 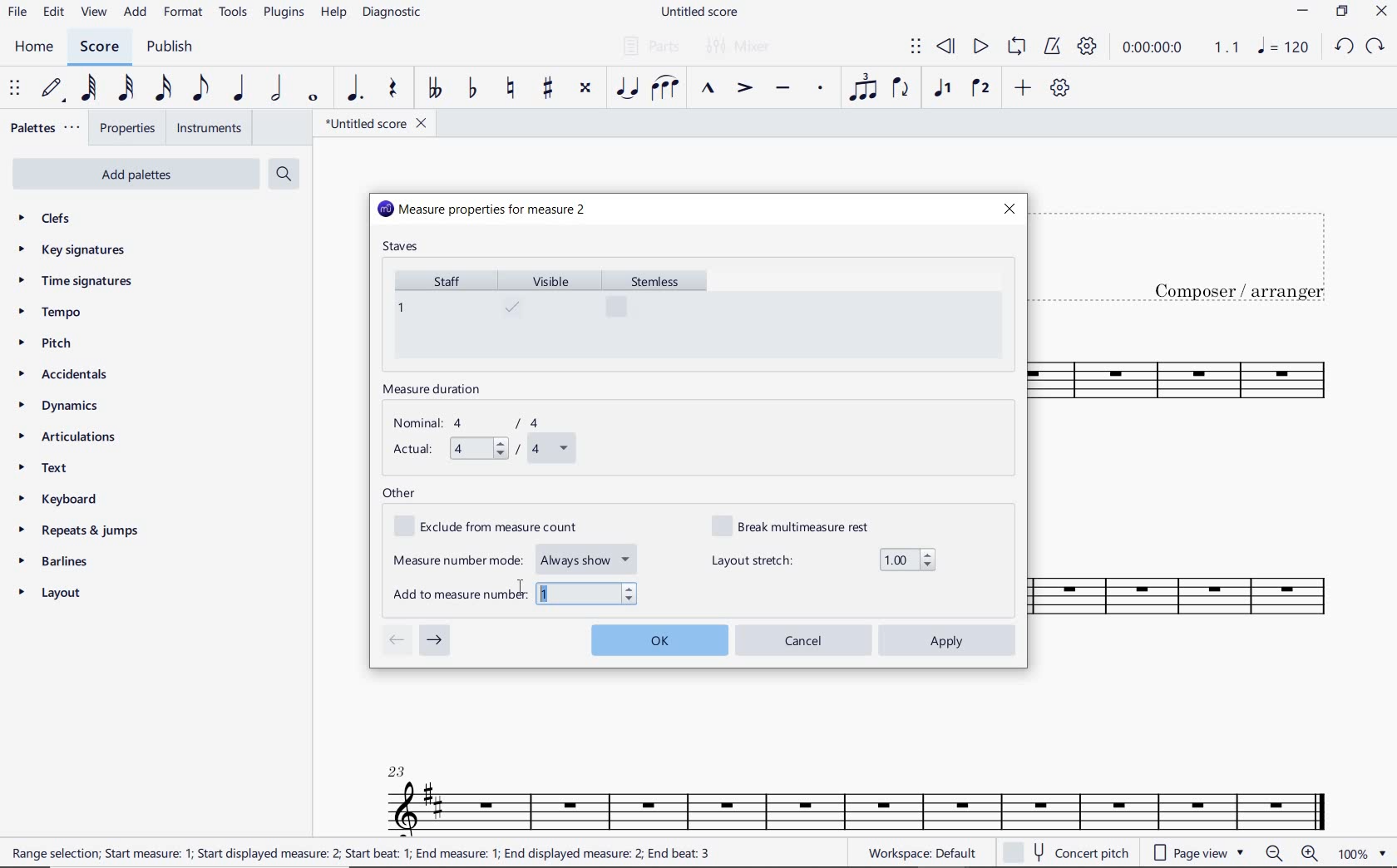 What do you see at coordinates (516, 557) in the screenshot?
I see `measure number mode` at bounding box center [516, 557].